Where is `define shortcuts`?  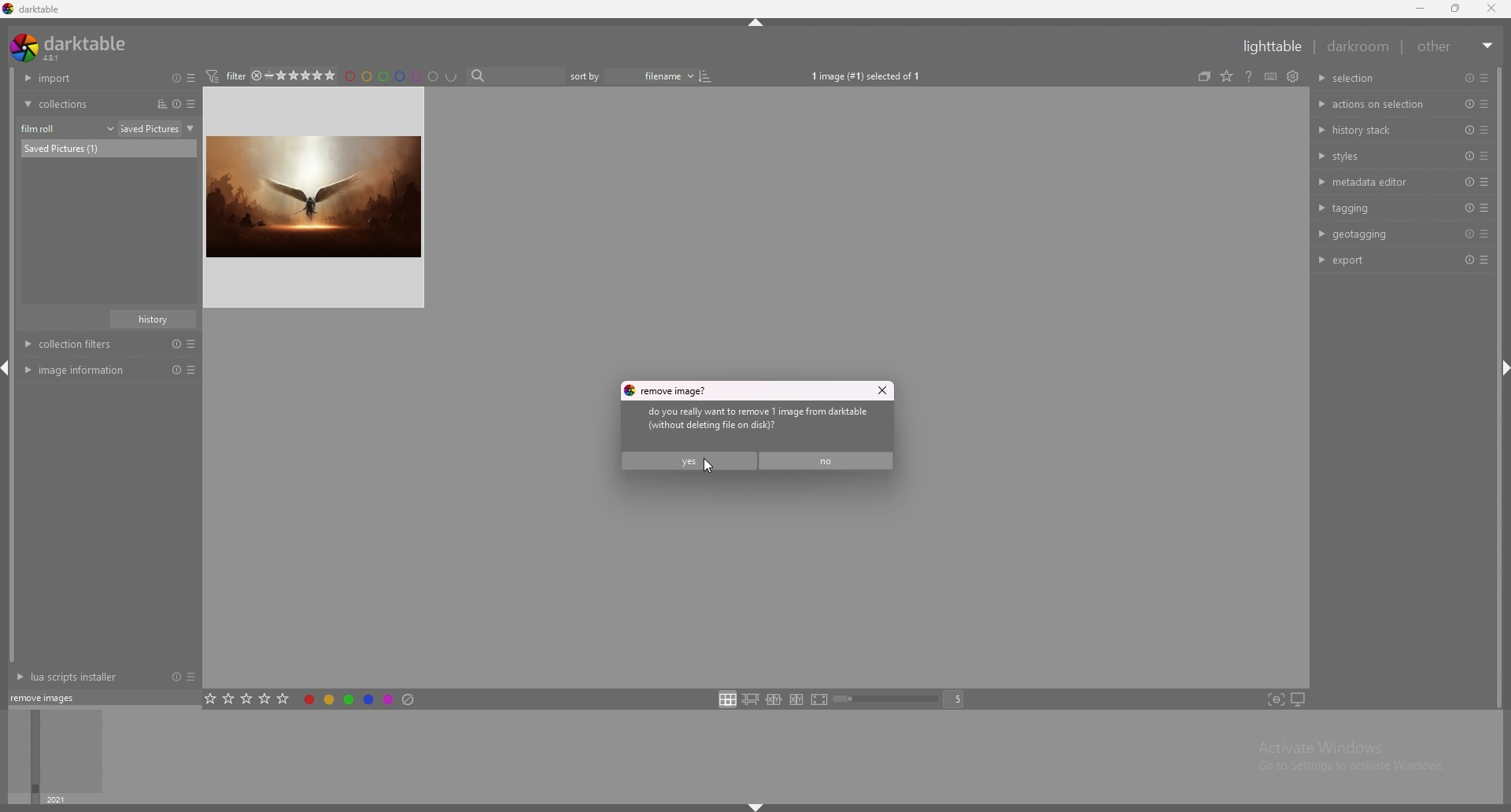 define shortcuts is located at coordinates (1289, 76).